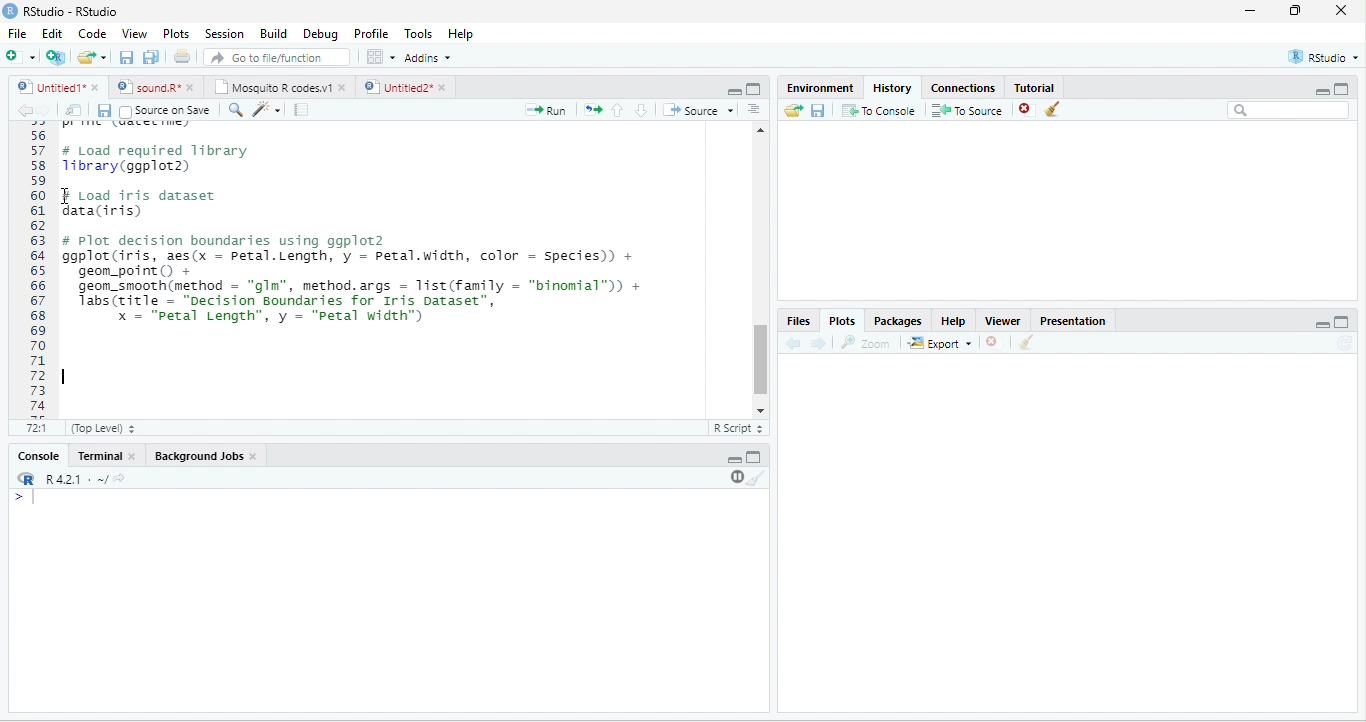 The width and height of the screenshot is (1366, 722). Describe the element at coordinates (349, 255) in the screenshot. I see `# Plot decision boundaries using ggplot2
ggplot(iris, aes(x = petal.Length, y = Petal.width, color = Species) +
geom_point() +` at that location.